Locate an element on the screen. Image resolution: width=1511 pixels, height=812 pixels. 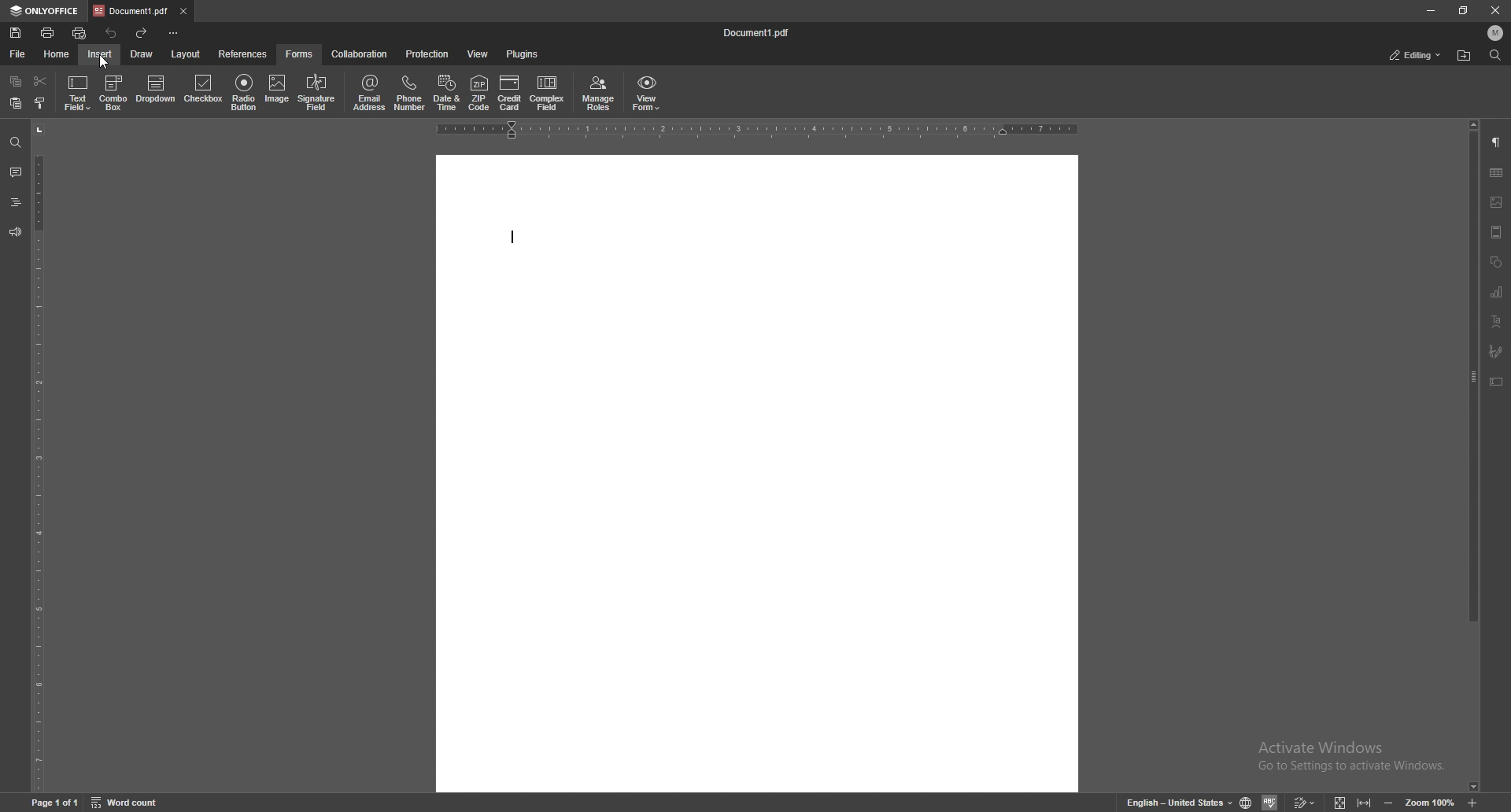
customize toolbar is located at coordinates (173, 34).